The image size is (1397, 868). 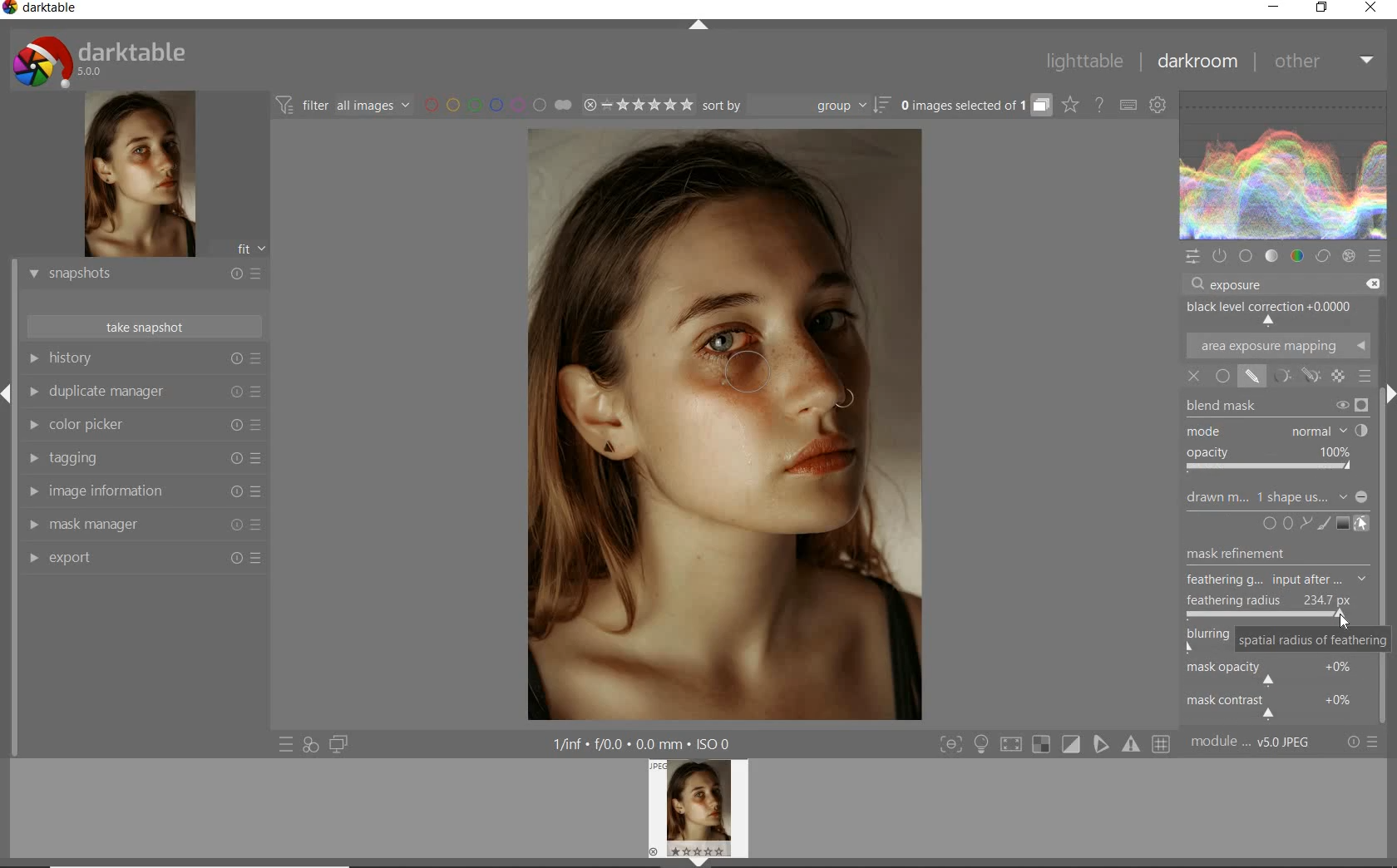 I want to click on show global preferences, so click(x=1158, y=106).